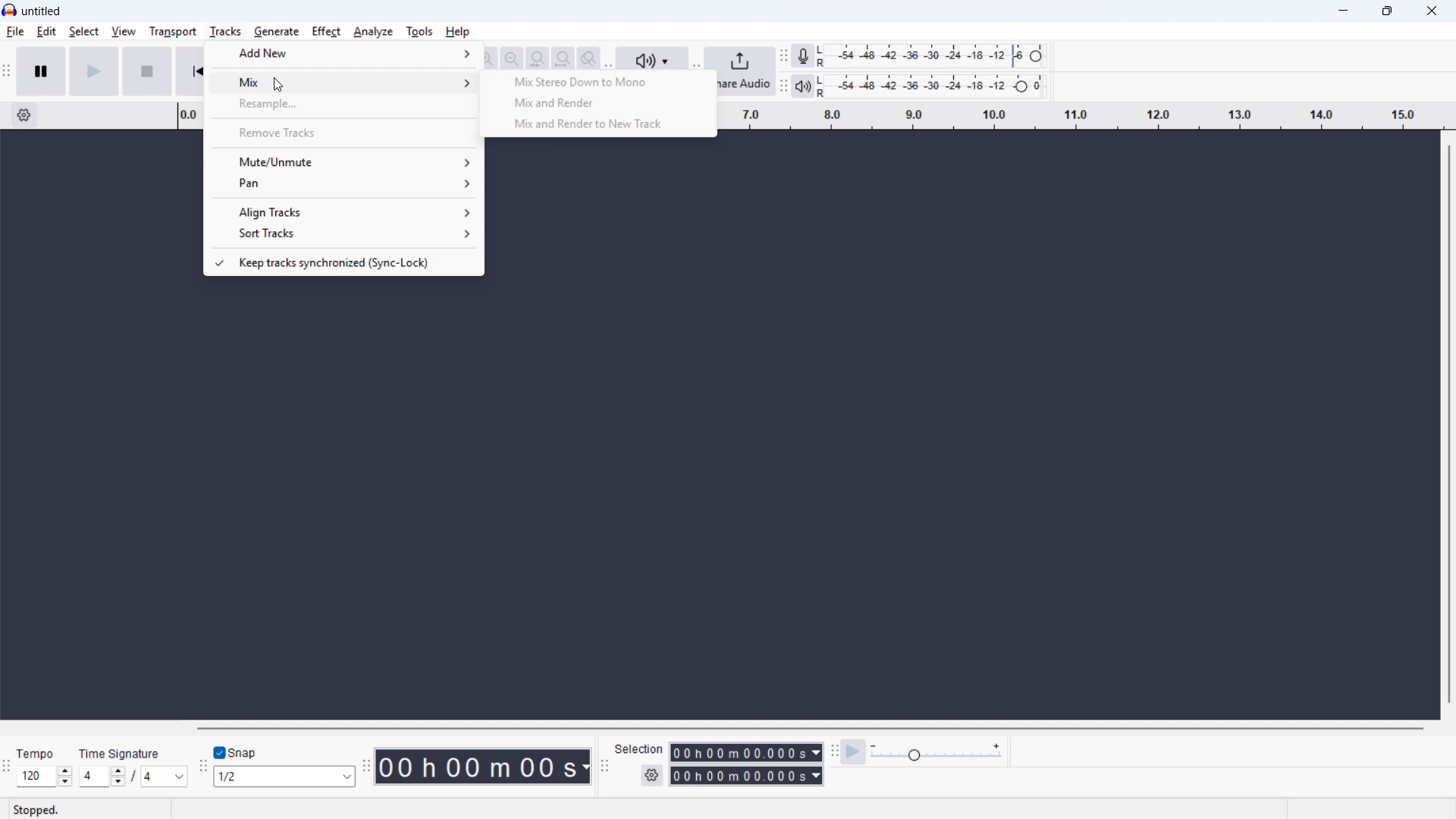 The image size is (1456, 819). What do you see at coordinates (783, 86) in the screenshot?
I see `playback metre toolbar ` at bounding box center [783, 86].